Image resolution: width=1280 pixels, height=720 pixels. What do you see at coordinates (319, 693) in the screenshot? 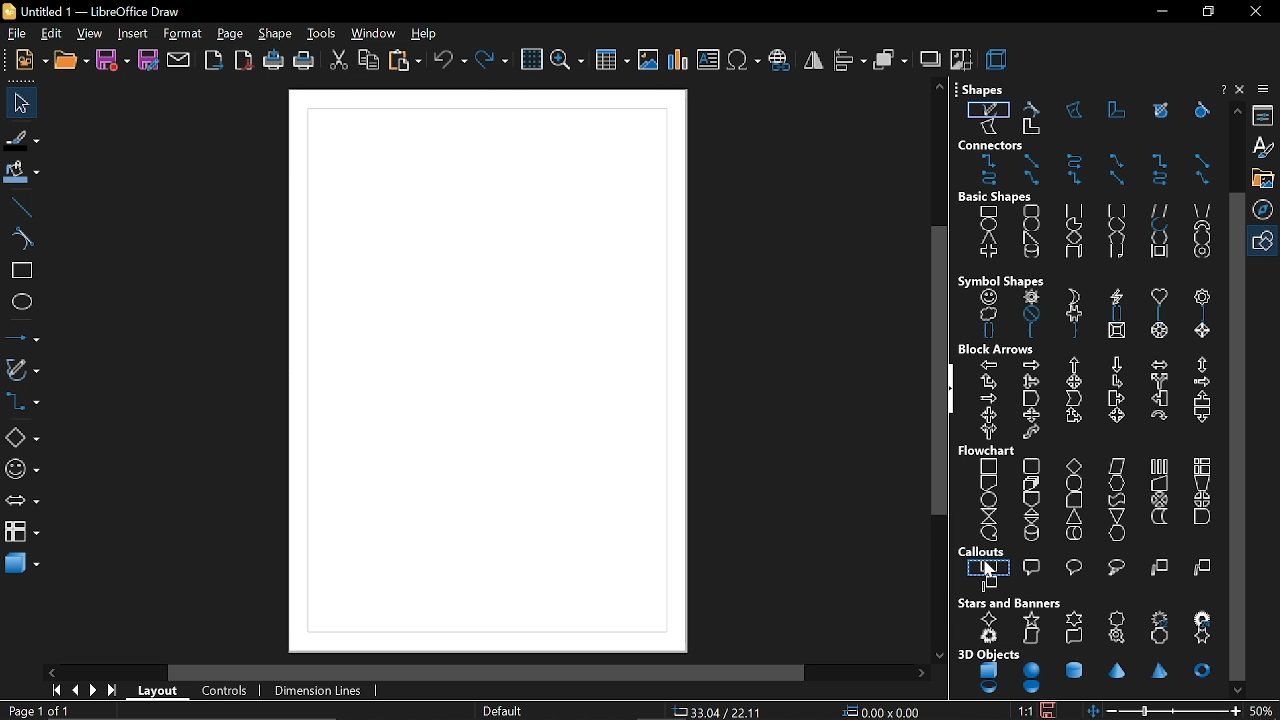
I see `dimension lines` at bounding box center [319, 693].